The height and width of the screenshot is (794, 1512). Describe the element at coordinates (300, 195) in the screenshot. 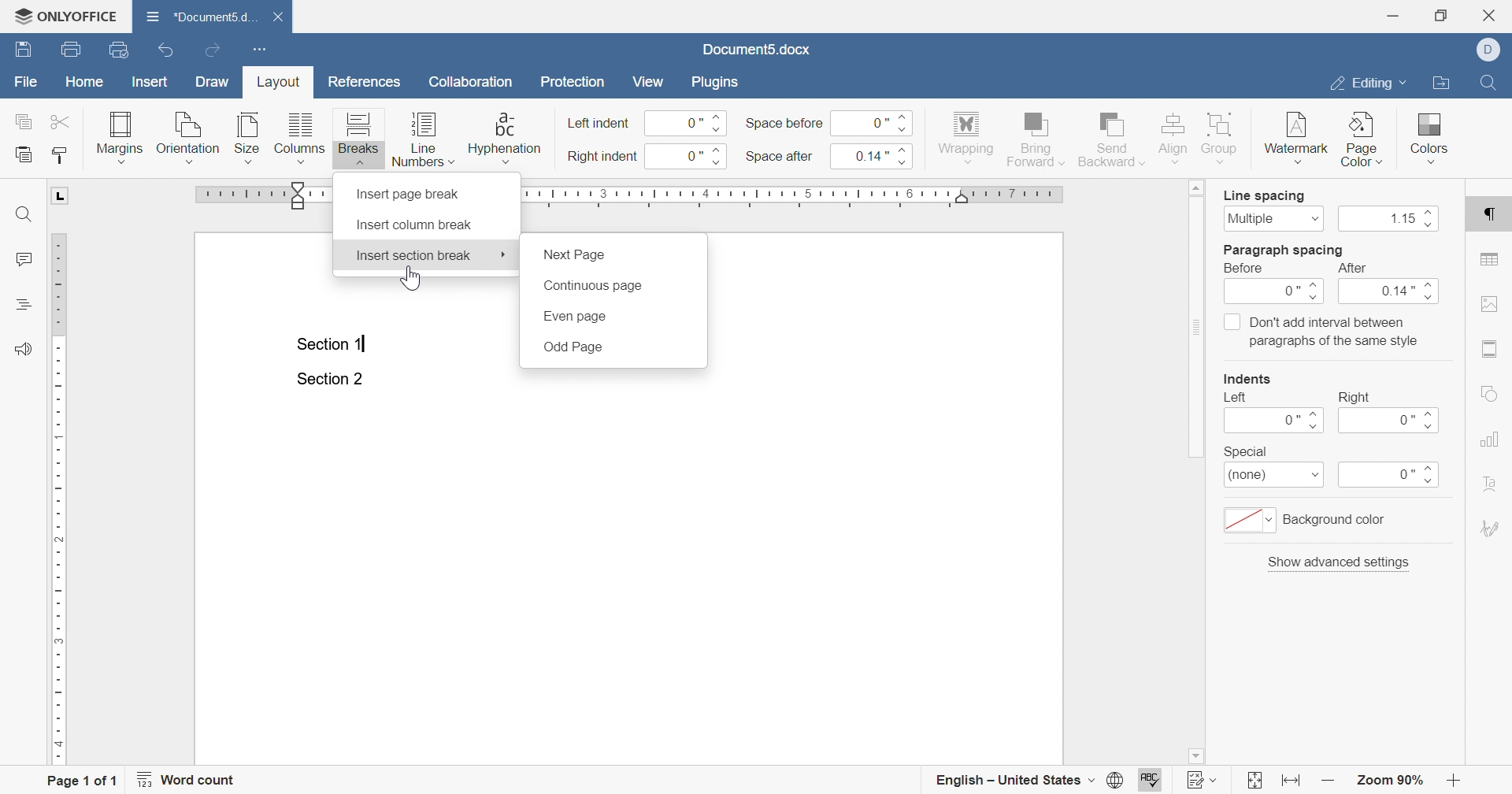

I see `adjust margin` at that location.